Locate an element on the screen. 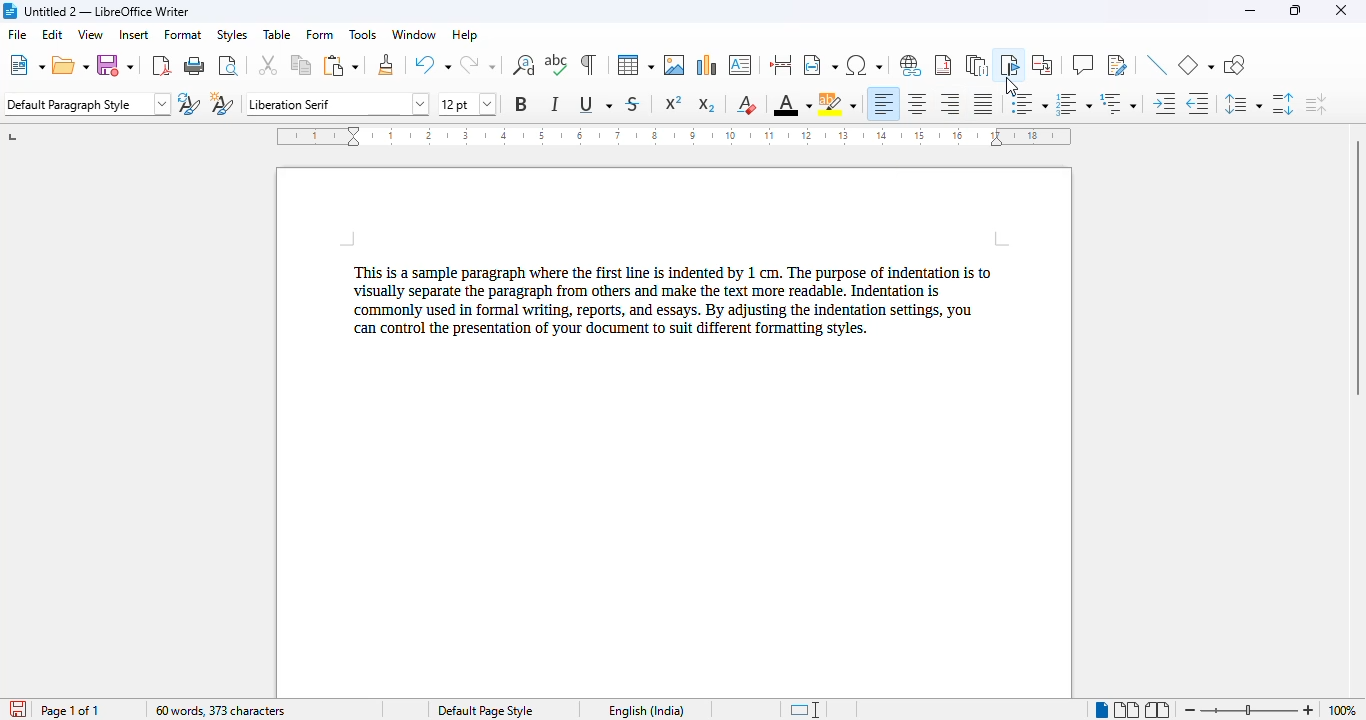 This screenshot has width=1366, height=720. subscript is located at coordinates (707, 105).